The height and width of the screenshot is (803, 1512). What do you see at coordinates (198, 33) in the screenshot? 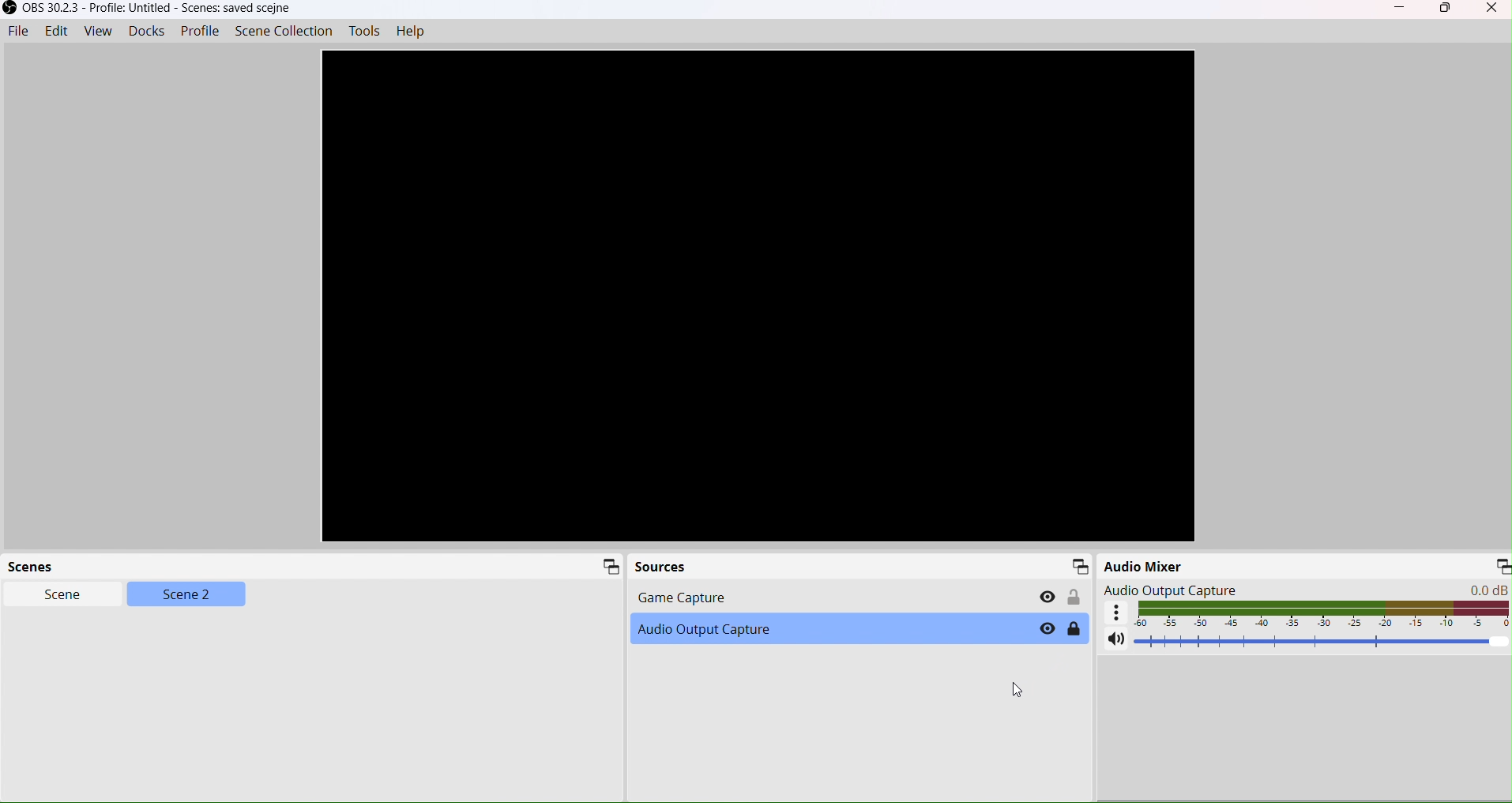
I see `Profile` at bounding box center [198, 33].